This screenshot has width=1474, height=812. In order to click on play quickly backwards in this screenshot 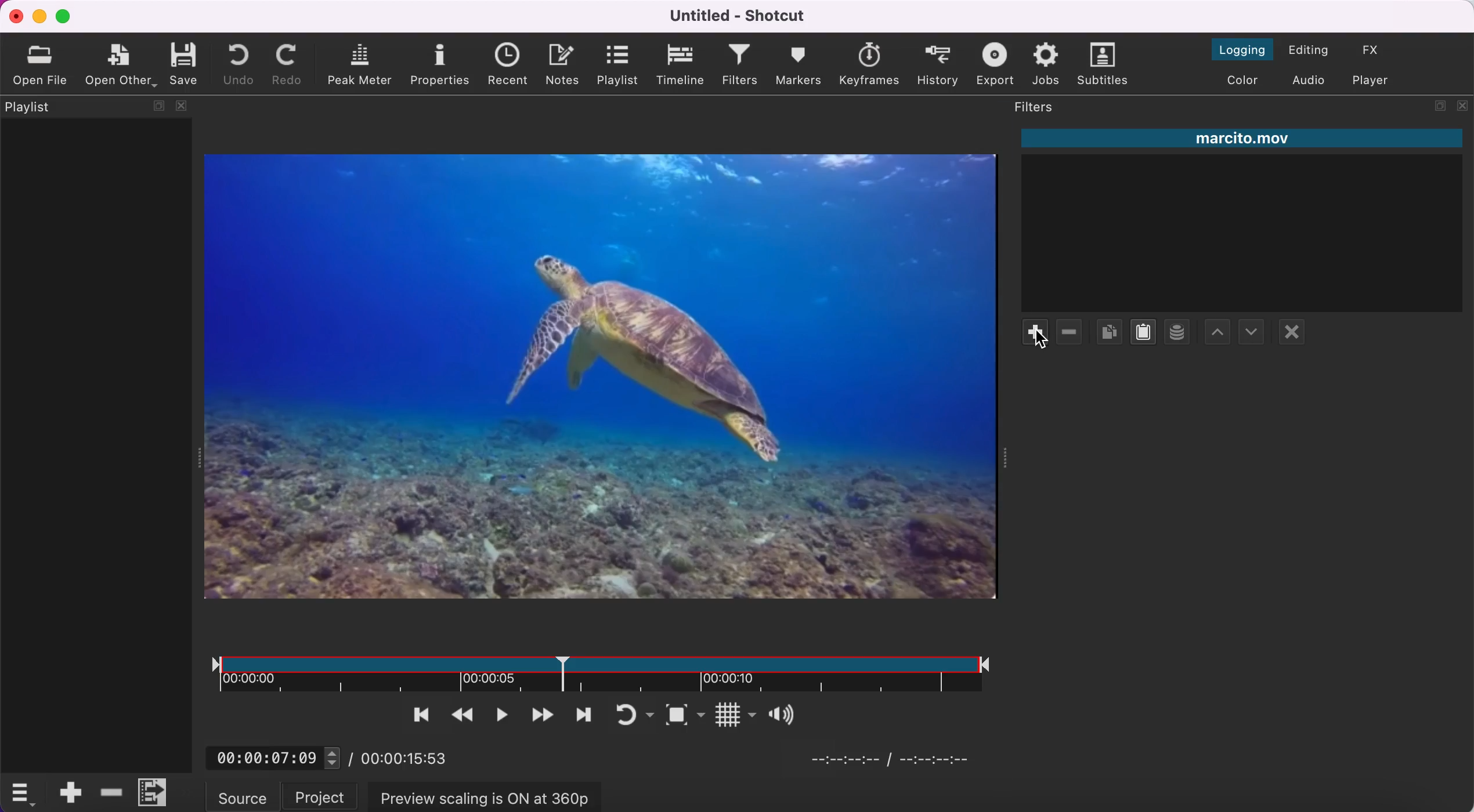, I will do `click(460, 715)`.